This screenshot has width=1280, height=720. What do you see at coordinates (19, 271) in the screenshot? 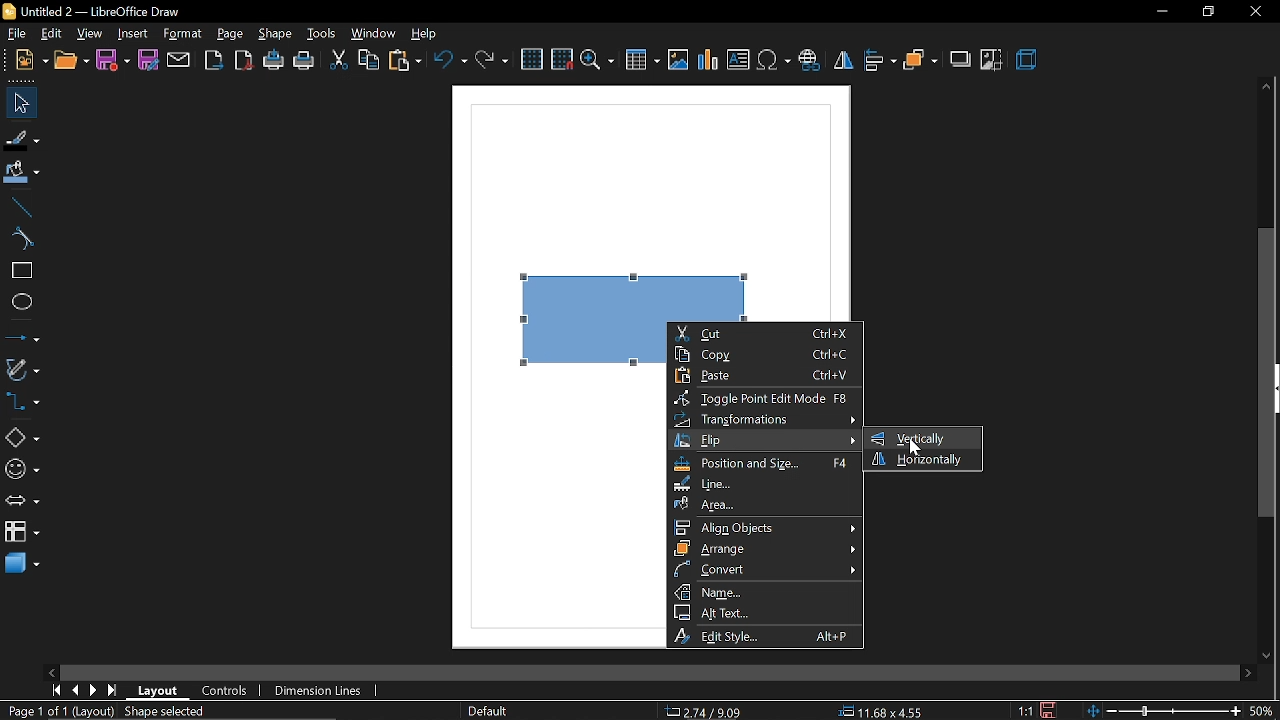
I see `rectagle` at bounding box center [19, 271].